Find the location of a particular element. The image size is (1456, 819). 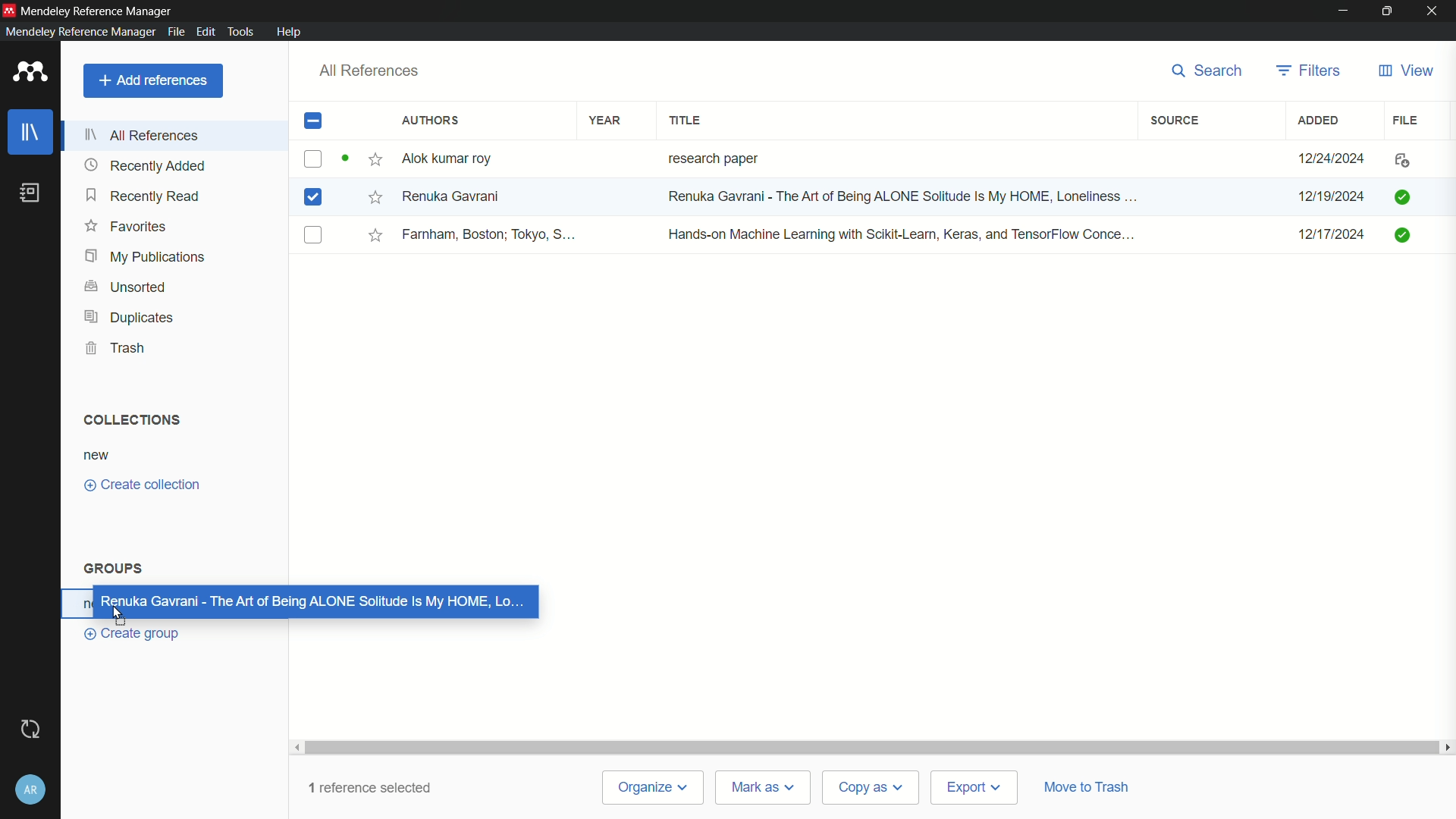

trash is located at coordinates (119, 348).